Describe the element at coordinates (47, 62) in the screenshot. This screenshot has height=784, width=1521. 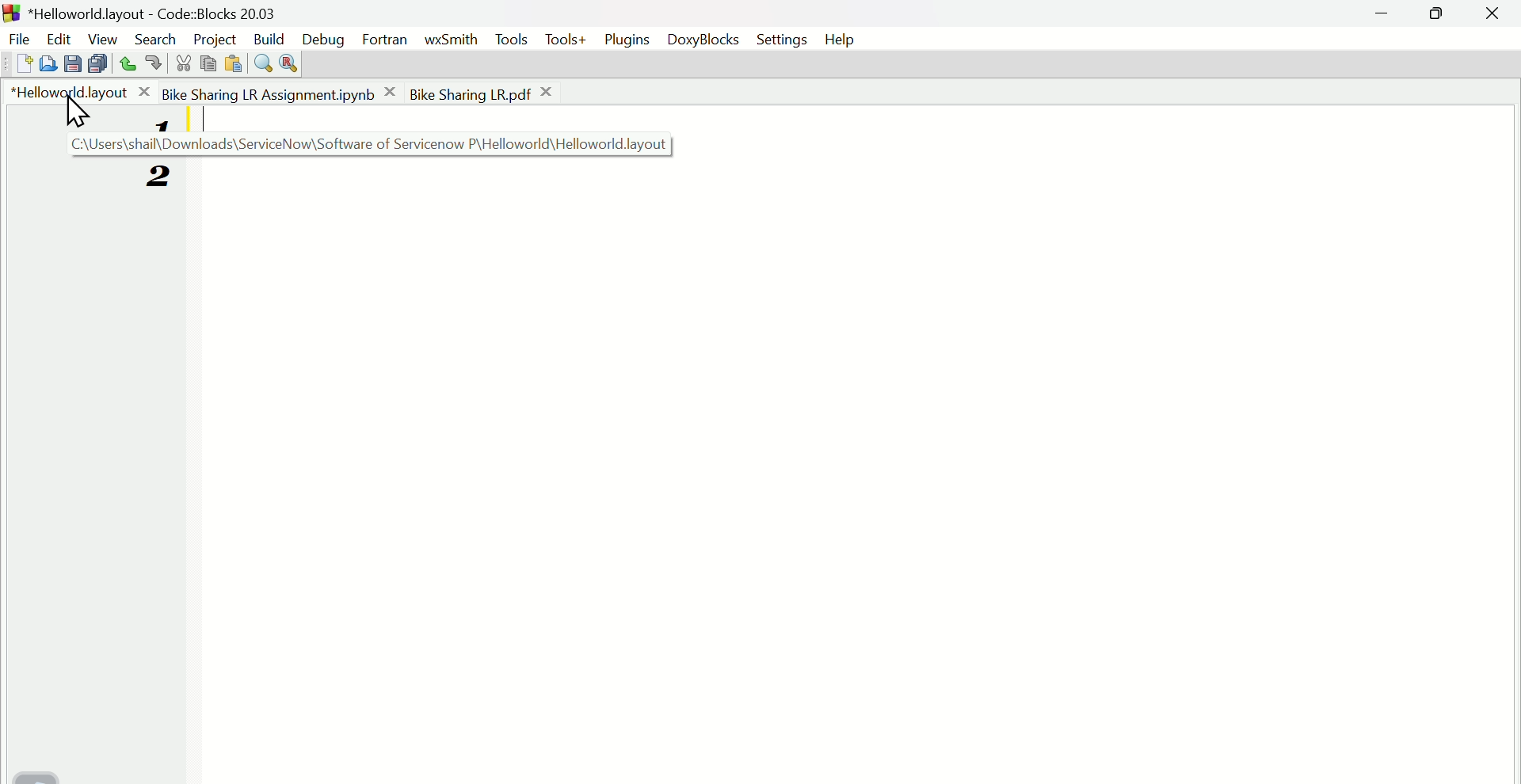
I see `Search in the  file` at that location.